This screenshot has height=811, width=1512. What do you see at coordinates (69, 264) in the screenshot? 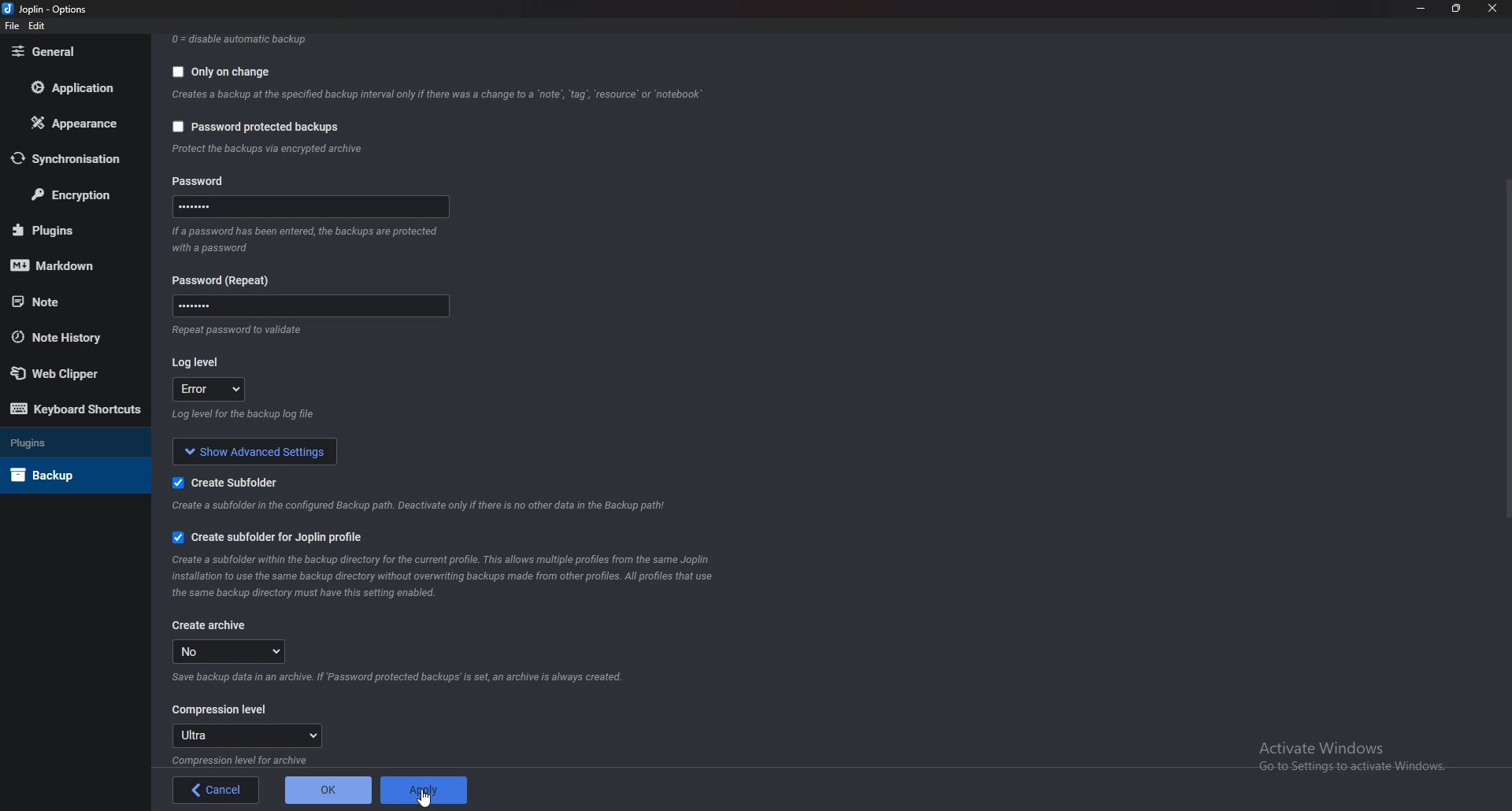
I see `markdown` at bounding box center [69, 264].